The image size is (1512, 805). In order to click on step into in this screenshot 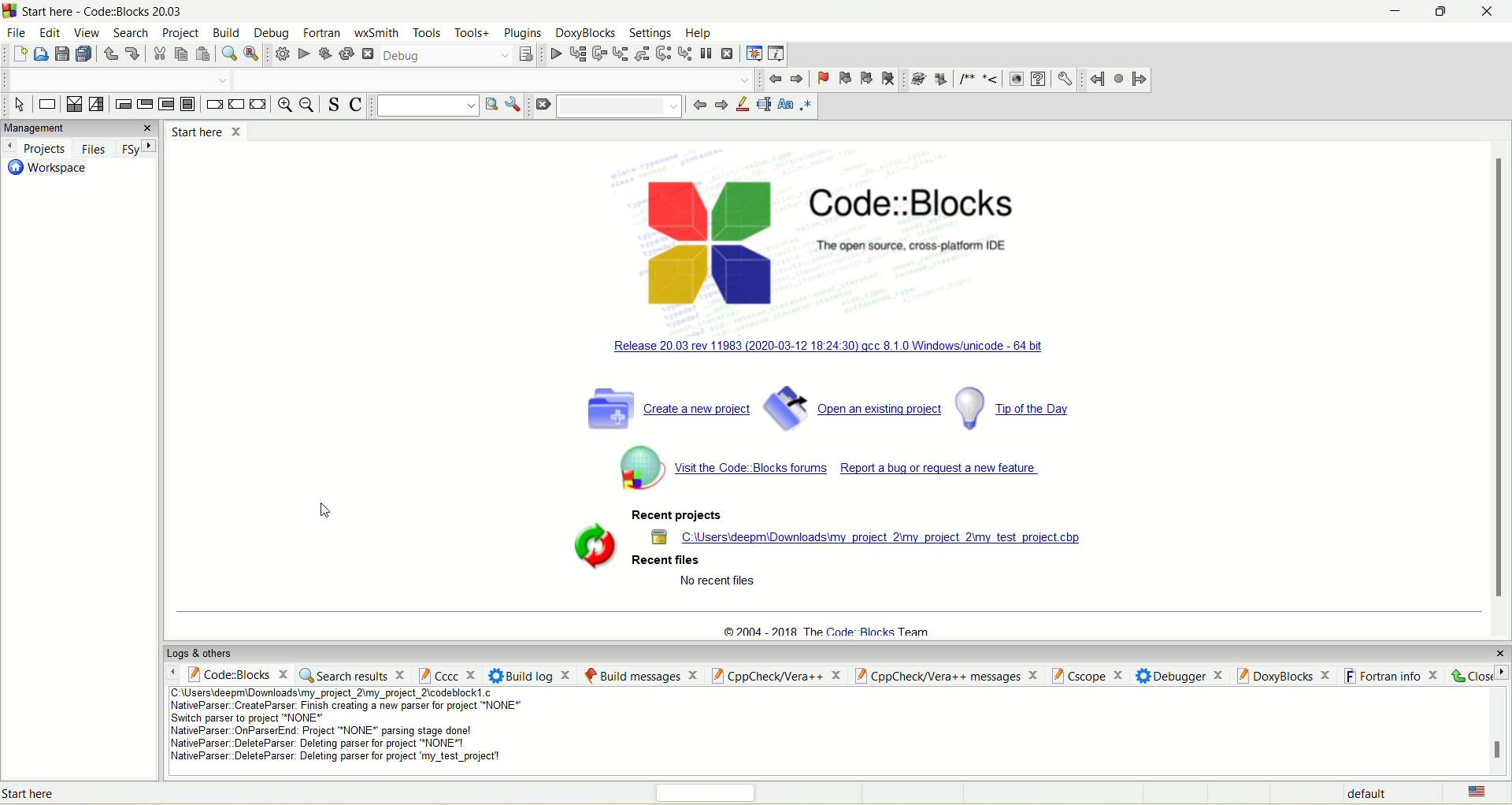, I will do `click(621, 54)`.